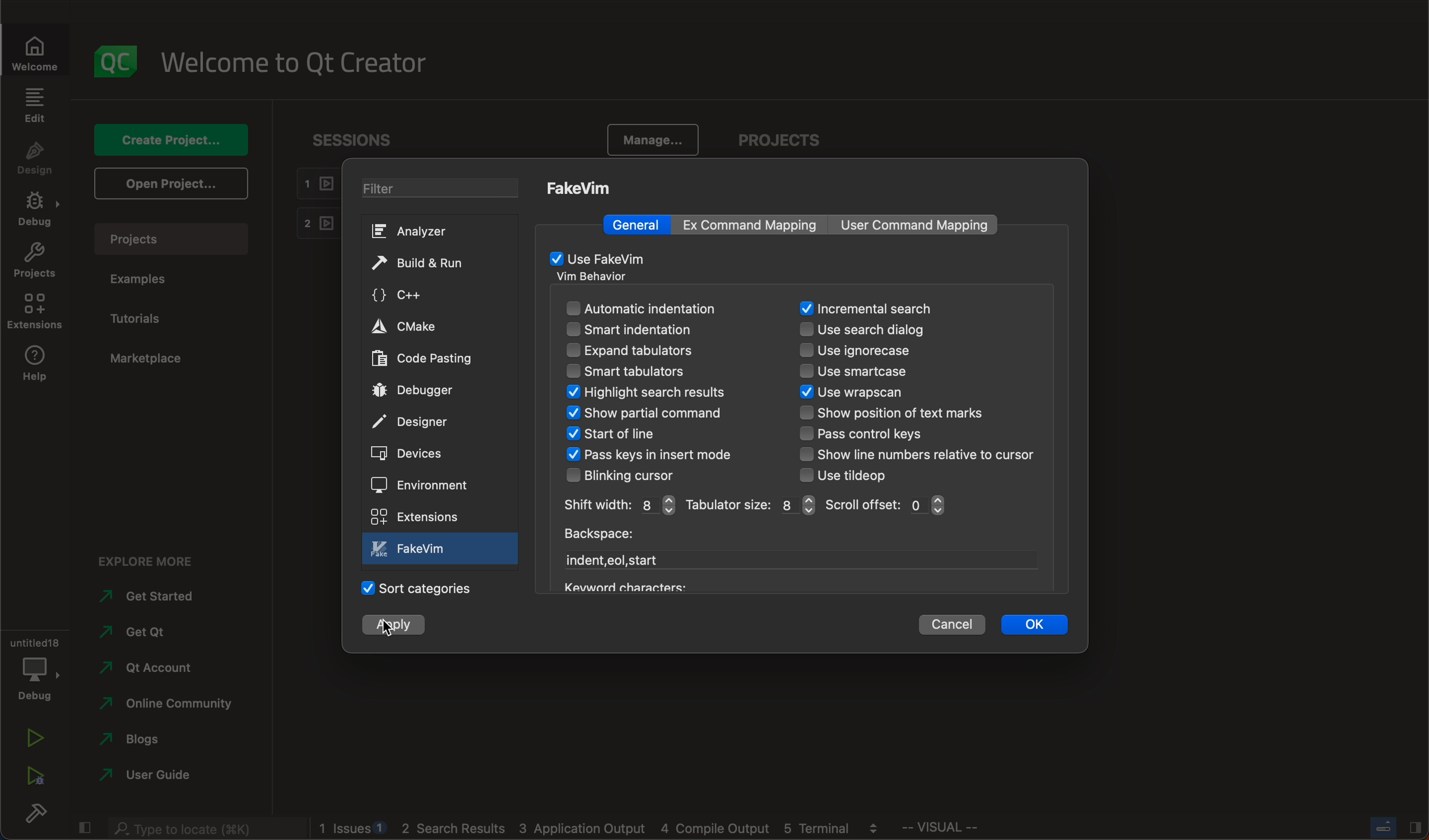 The width and height of the screenshot is (1429, 840). Describe the element at coordinates (427, 328) in the screenshot. I see `cmake` at that location.